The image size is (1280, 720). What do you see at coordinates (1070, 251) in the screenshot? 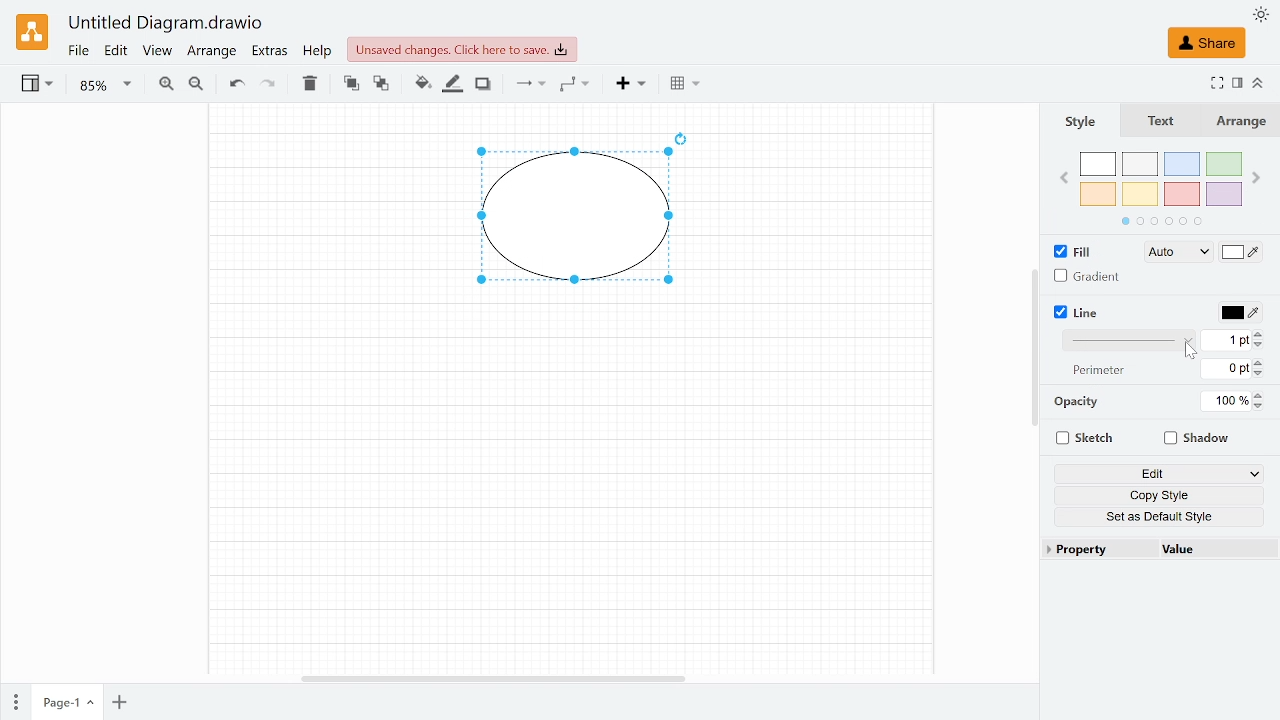
I see `Fill` at bounding box center [1070, 251].